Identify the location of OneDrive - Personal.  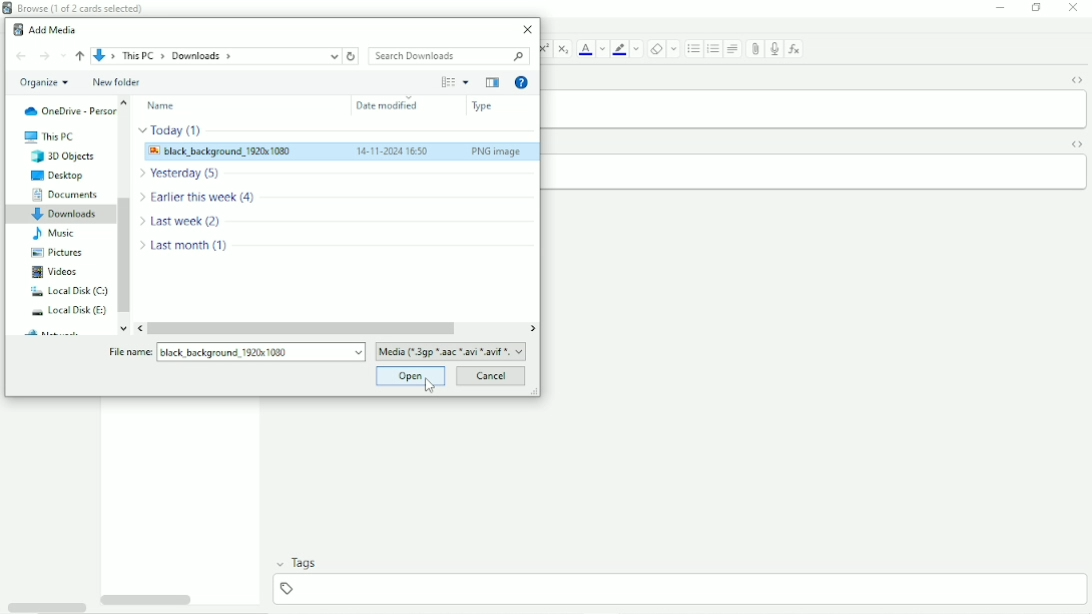
(67, 112).